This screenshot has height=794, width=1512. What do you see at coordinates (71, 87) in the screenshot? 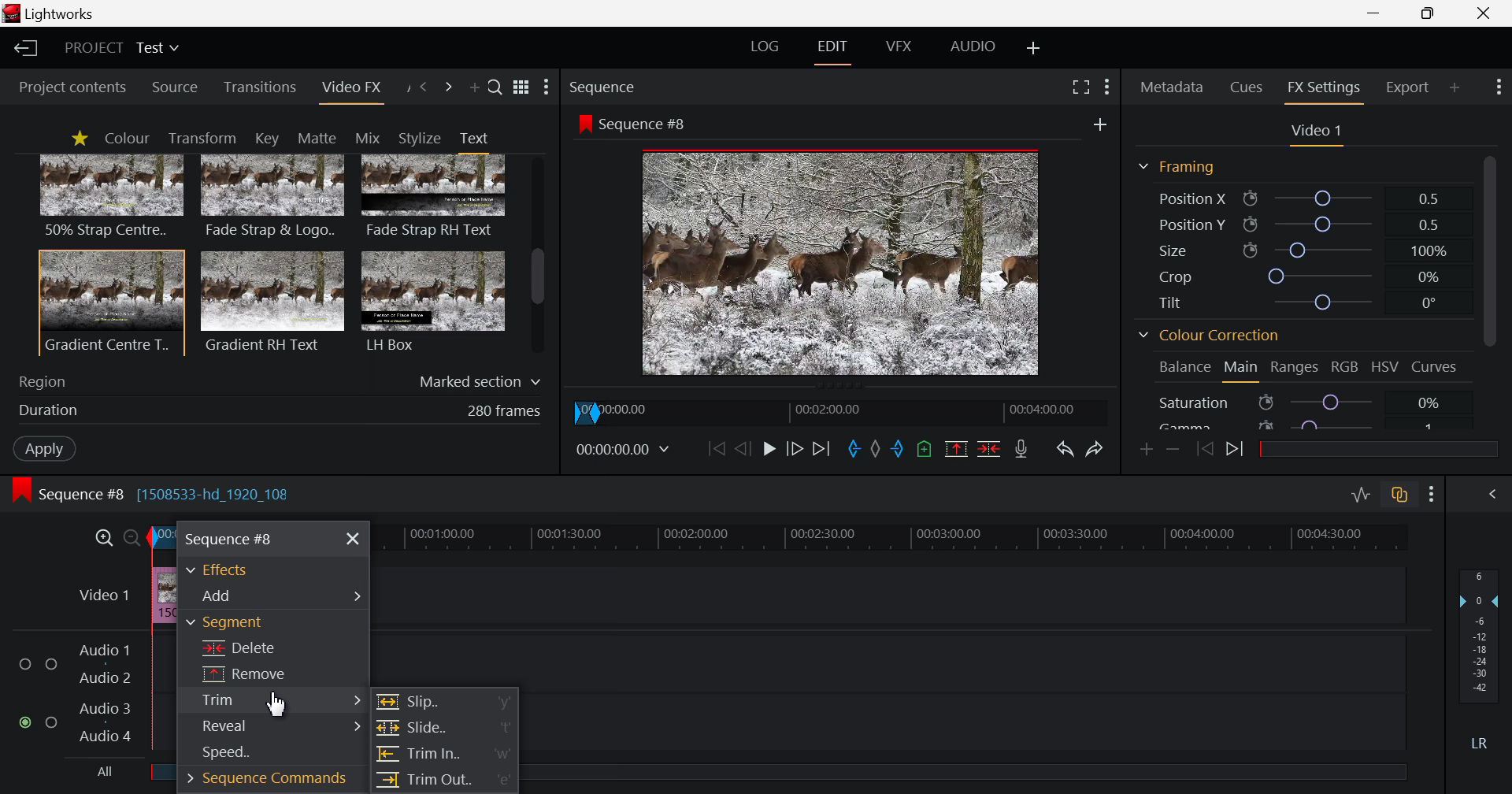
I see `Project contents` at bounding box center [71, 87].